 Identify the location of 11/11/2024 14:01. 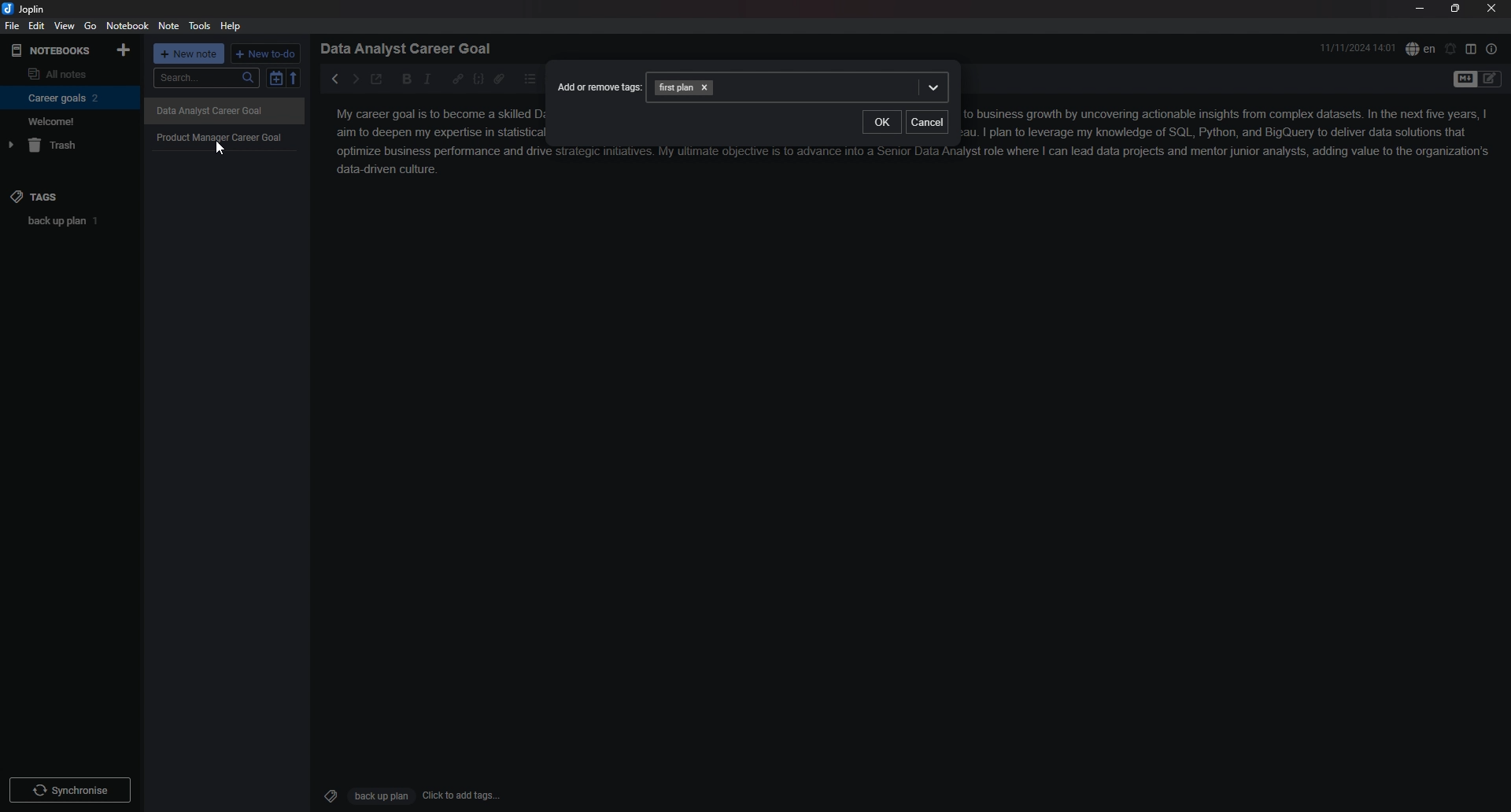
(1358, 47).